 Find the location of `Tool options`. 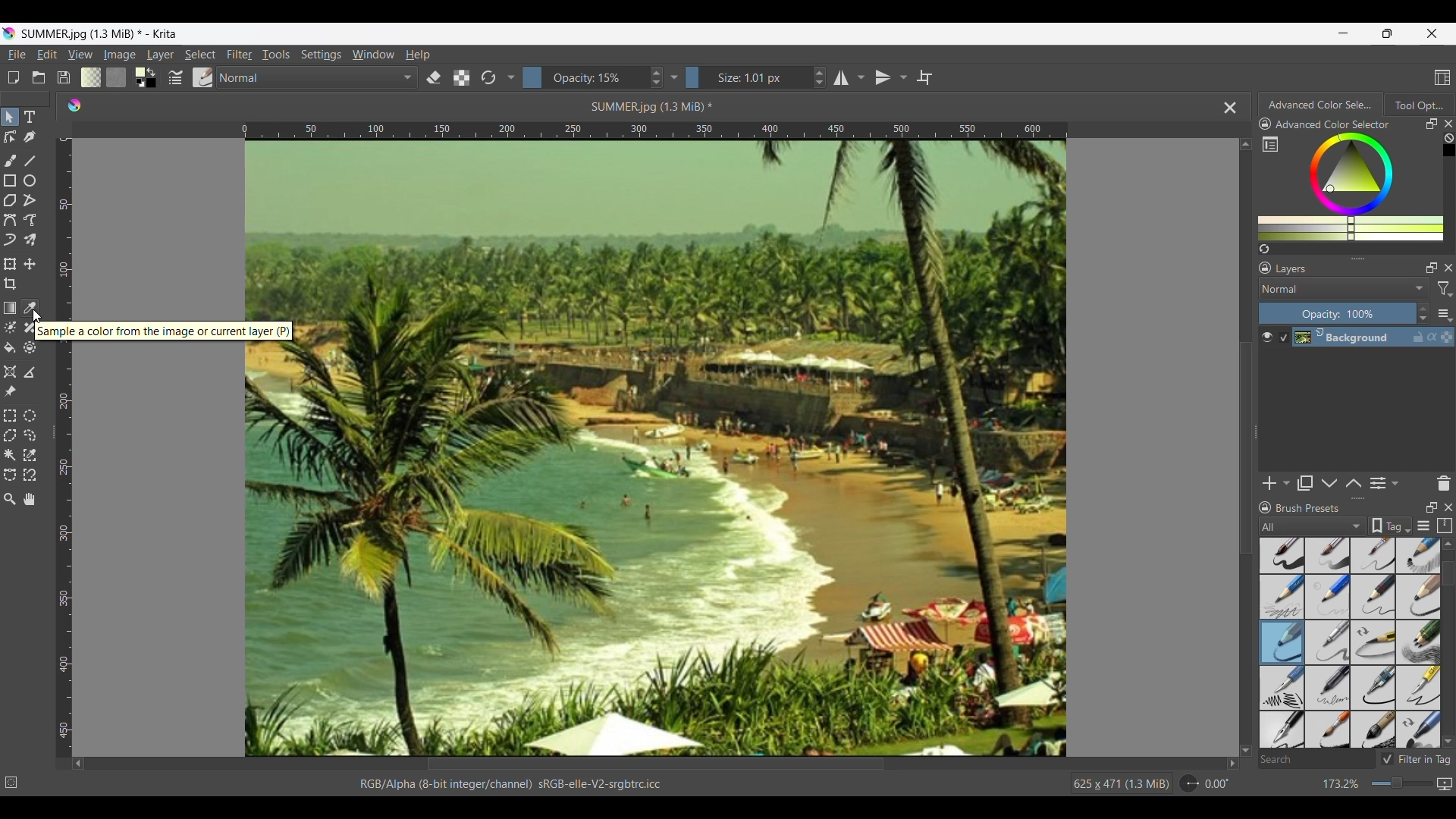

Tool options is located at coordinates (1419, 105).